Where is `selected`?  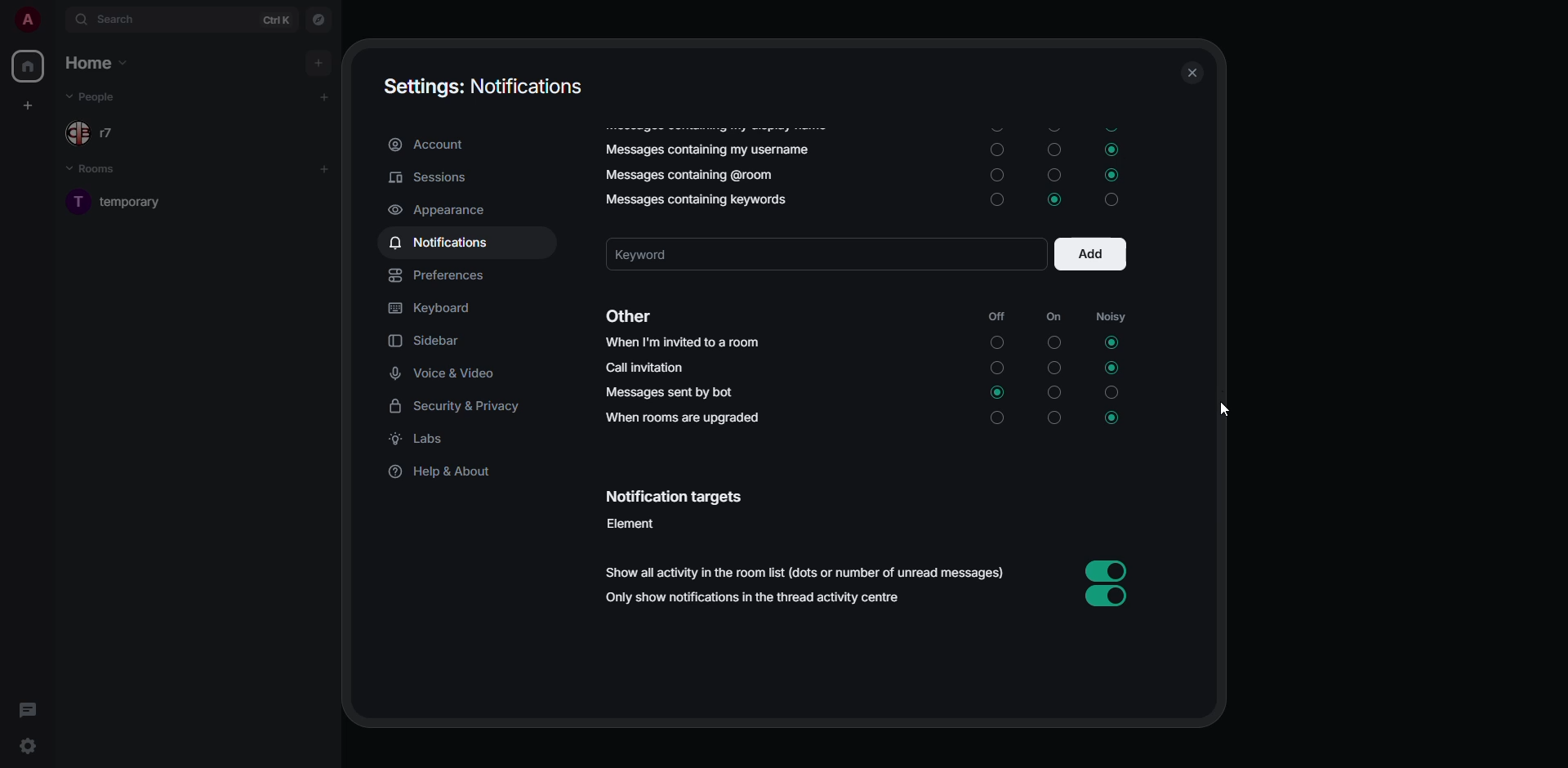
selected is located at coordinates (1112, 367).